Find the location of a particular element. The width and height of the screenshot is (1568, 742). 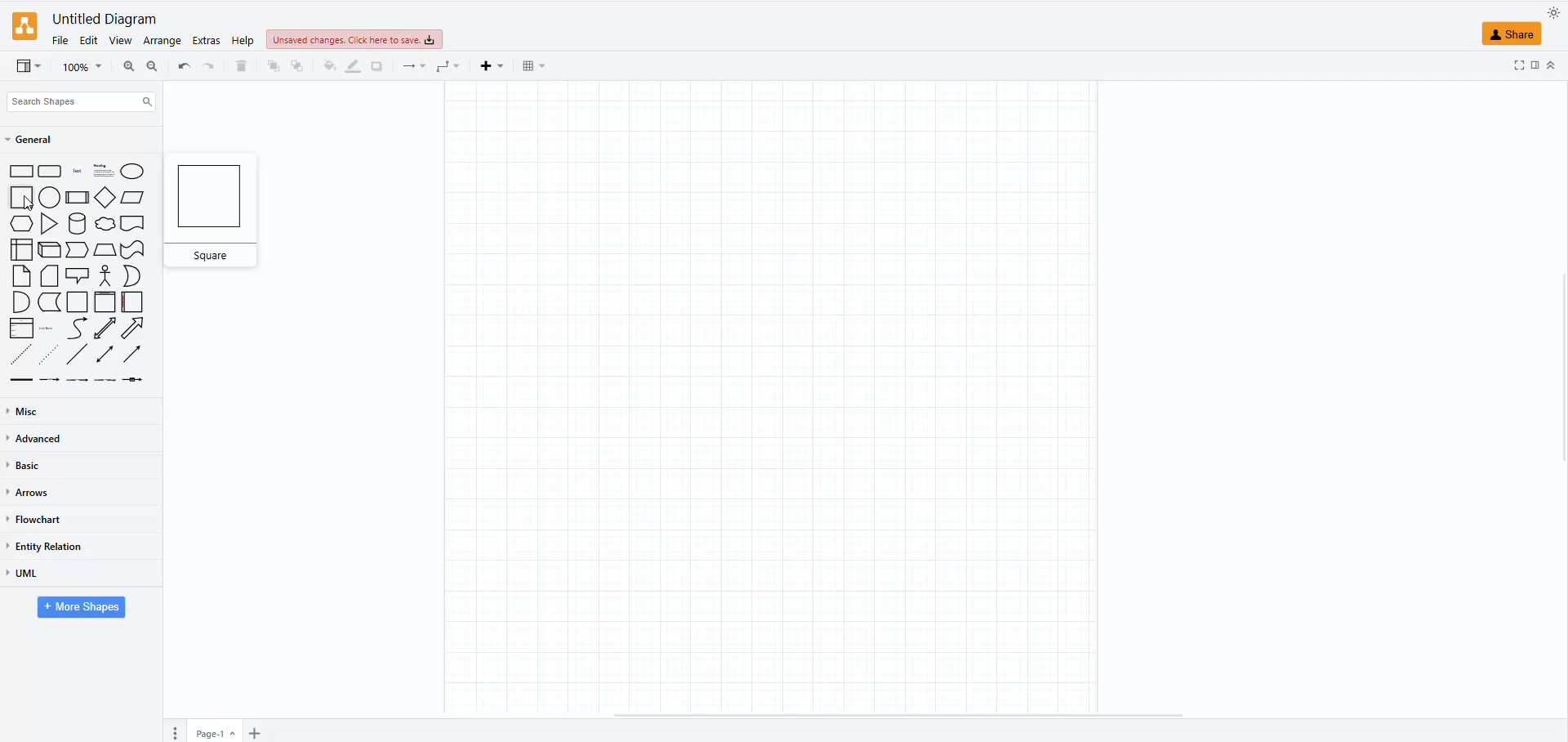

table is located at coordinates (531, 65).